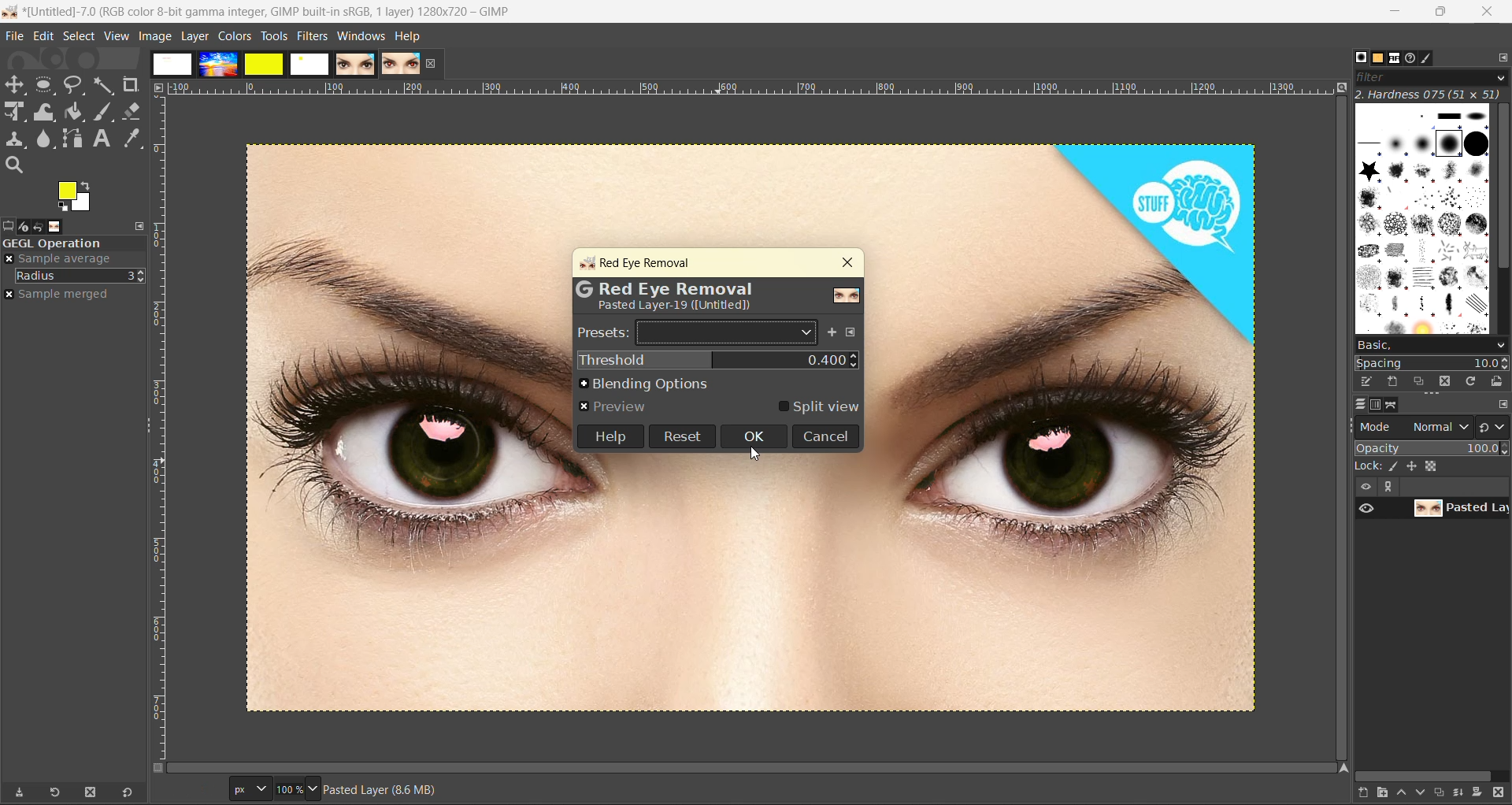 This screenshot has height=805, width=1512. What do you see at coordinates (1440, 15) in the screenshot?
I see `maximize` at bounding box center [1440, 15].